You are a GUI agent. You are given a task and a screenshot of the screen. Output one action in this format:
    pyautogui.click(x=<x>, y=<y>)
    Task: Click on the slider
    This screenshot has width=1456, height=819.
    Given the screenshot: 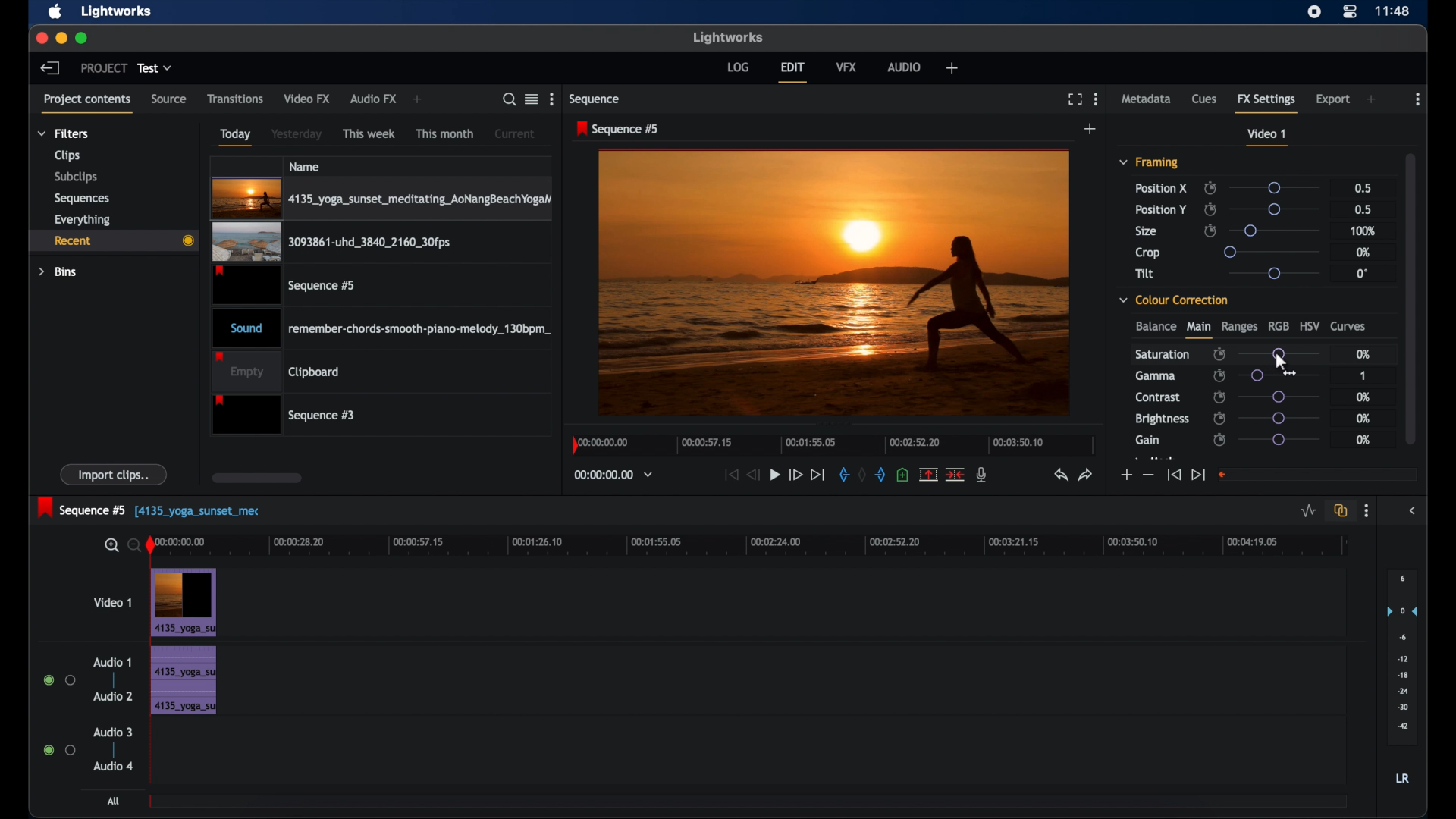 What is the action you would take?
    pyautogui.click(x=1284, y=375)
    